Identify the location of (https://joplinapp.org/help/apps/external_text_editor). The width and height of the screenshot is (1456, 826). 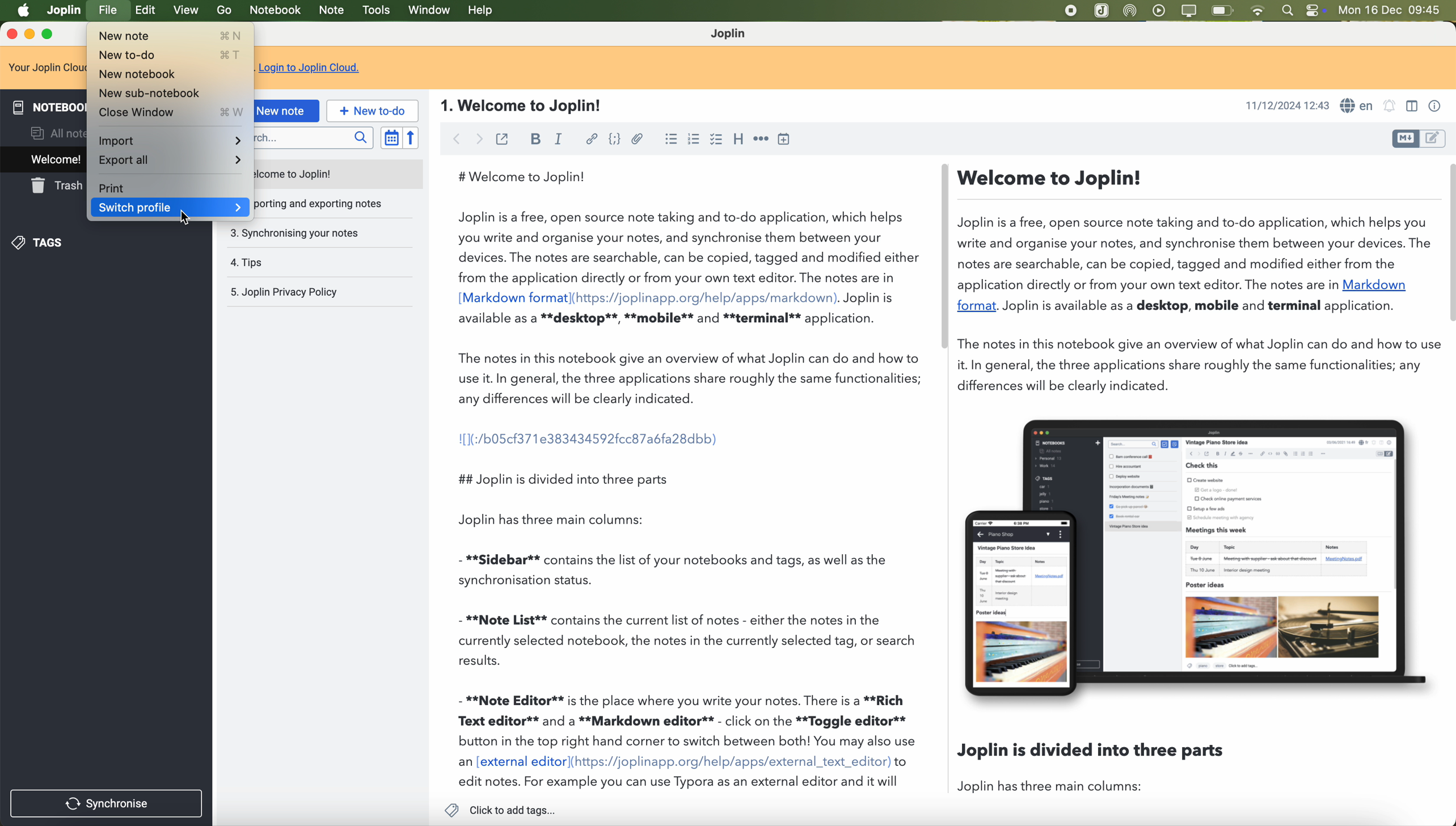
(731, 762).